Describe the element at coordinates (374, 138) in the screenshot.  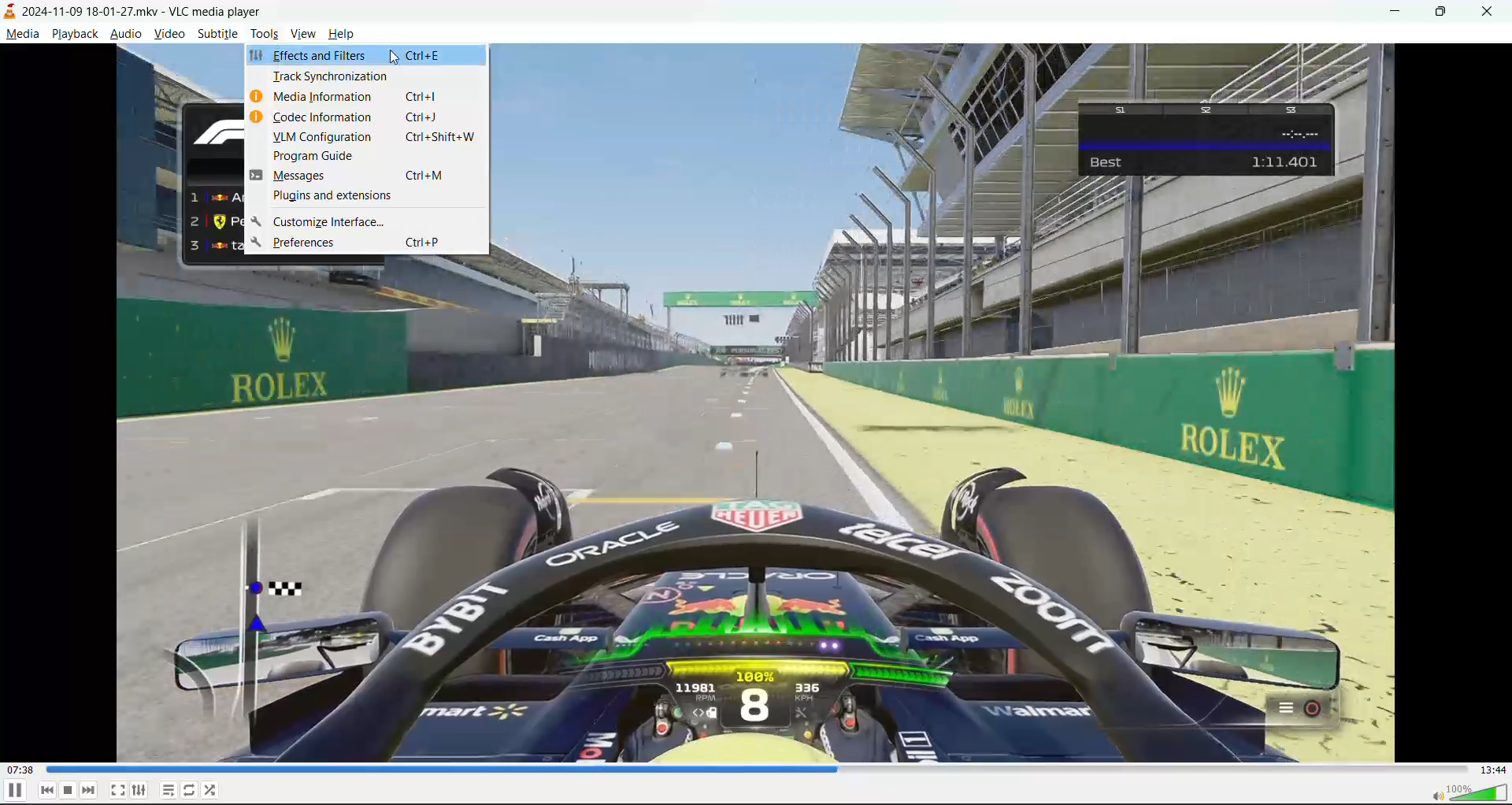
I see `vlm configuration` at that location.